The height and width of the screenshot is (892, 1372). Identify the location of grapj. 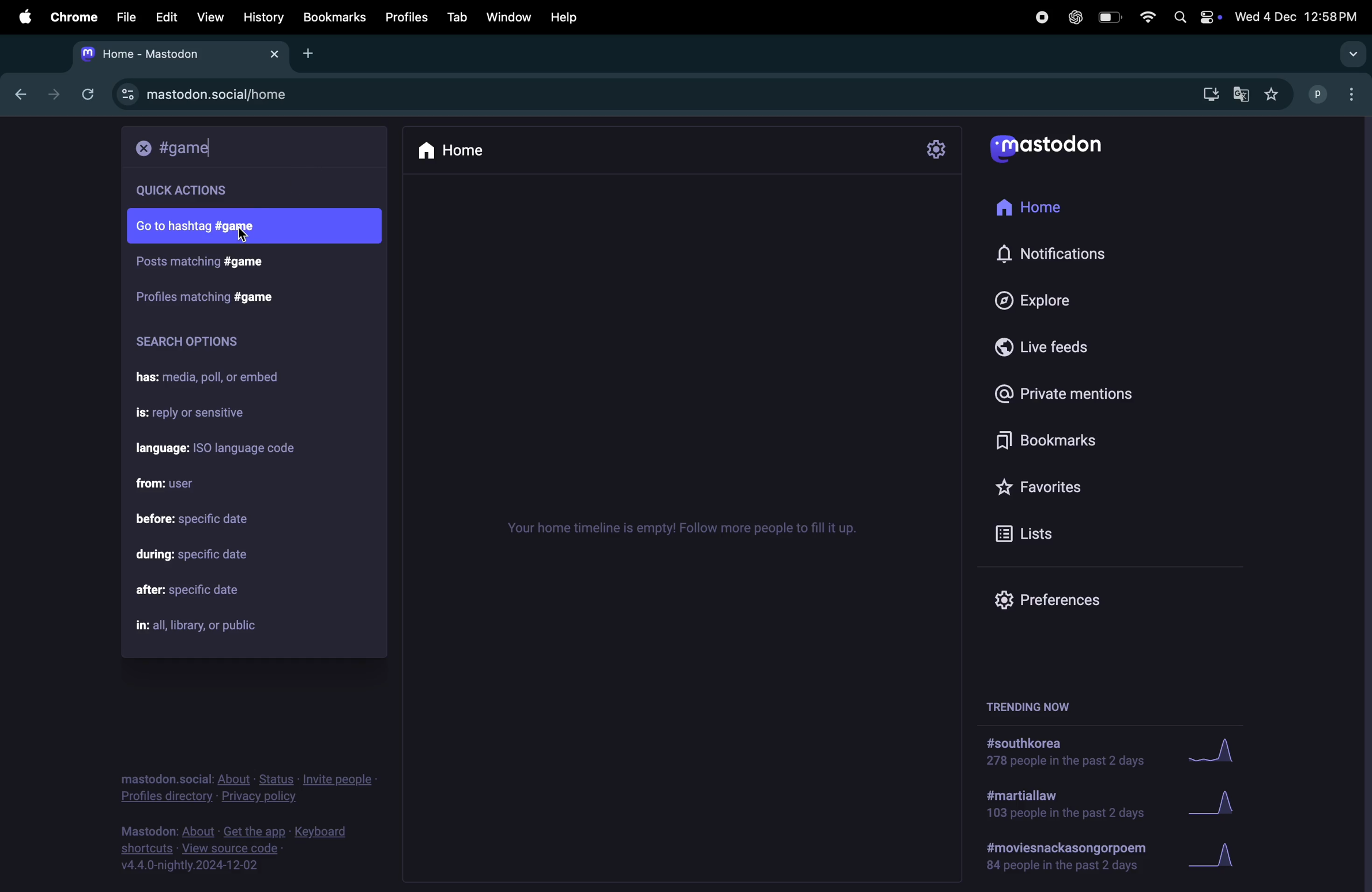
(1220, 860).